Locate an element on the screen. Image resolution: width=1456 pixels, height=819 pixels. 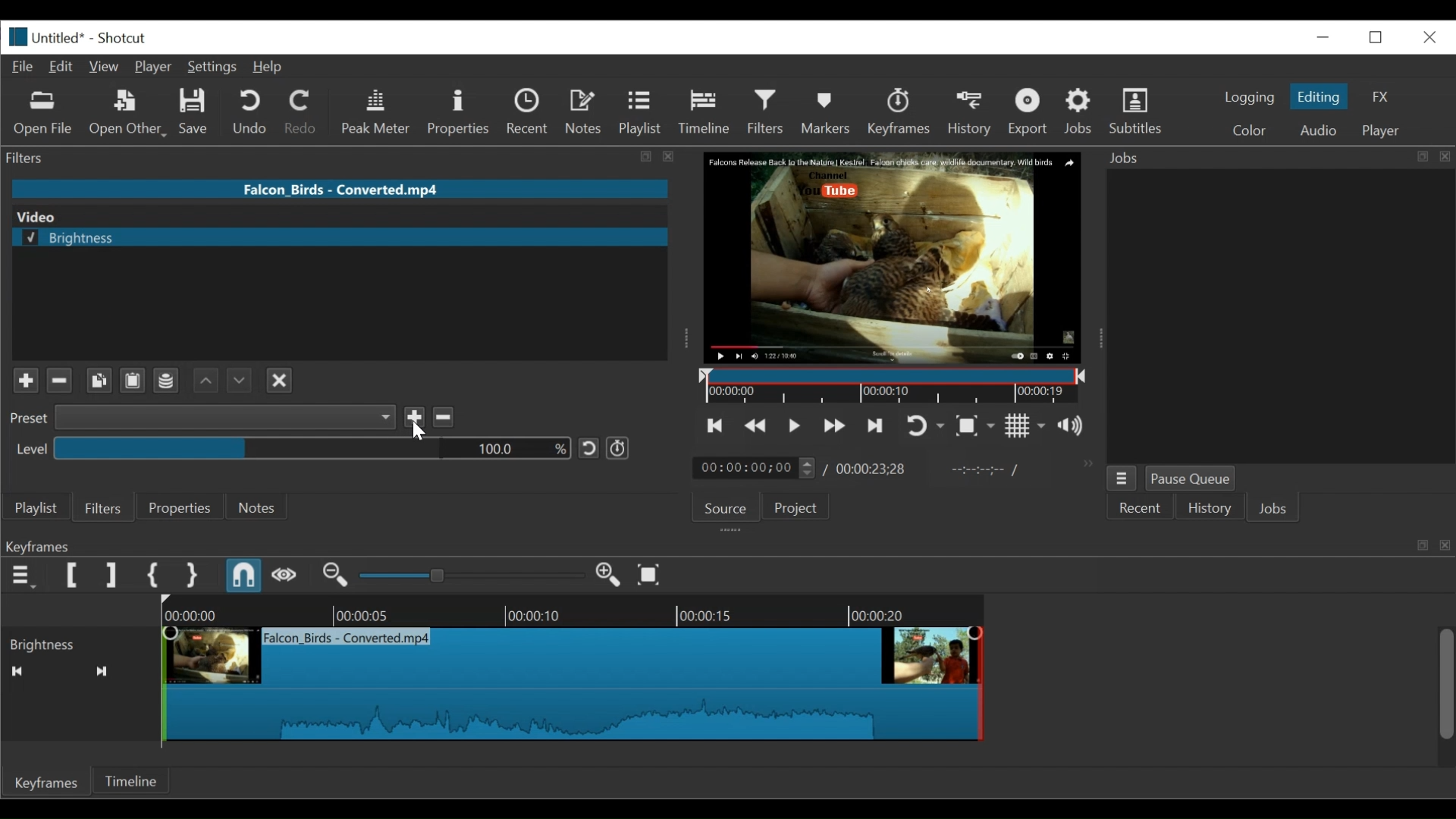
Source is located at coordinates (726, 508).